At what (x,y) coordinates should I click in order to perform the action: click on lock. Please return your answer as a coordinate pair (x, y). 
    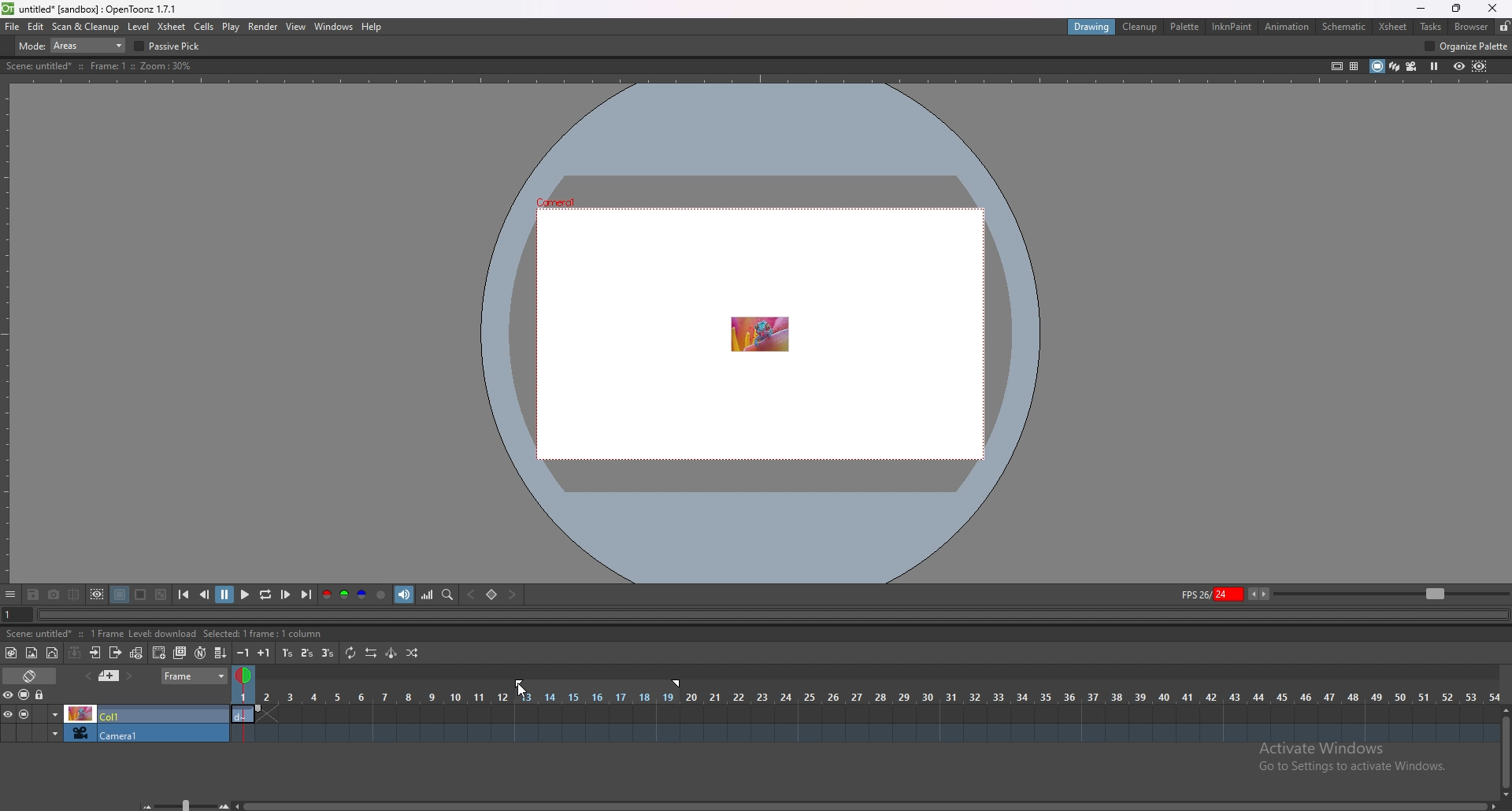
    Looking at the image, I should click on (1504, 26).